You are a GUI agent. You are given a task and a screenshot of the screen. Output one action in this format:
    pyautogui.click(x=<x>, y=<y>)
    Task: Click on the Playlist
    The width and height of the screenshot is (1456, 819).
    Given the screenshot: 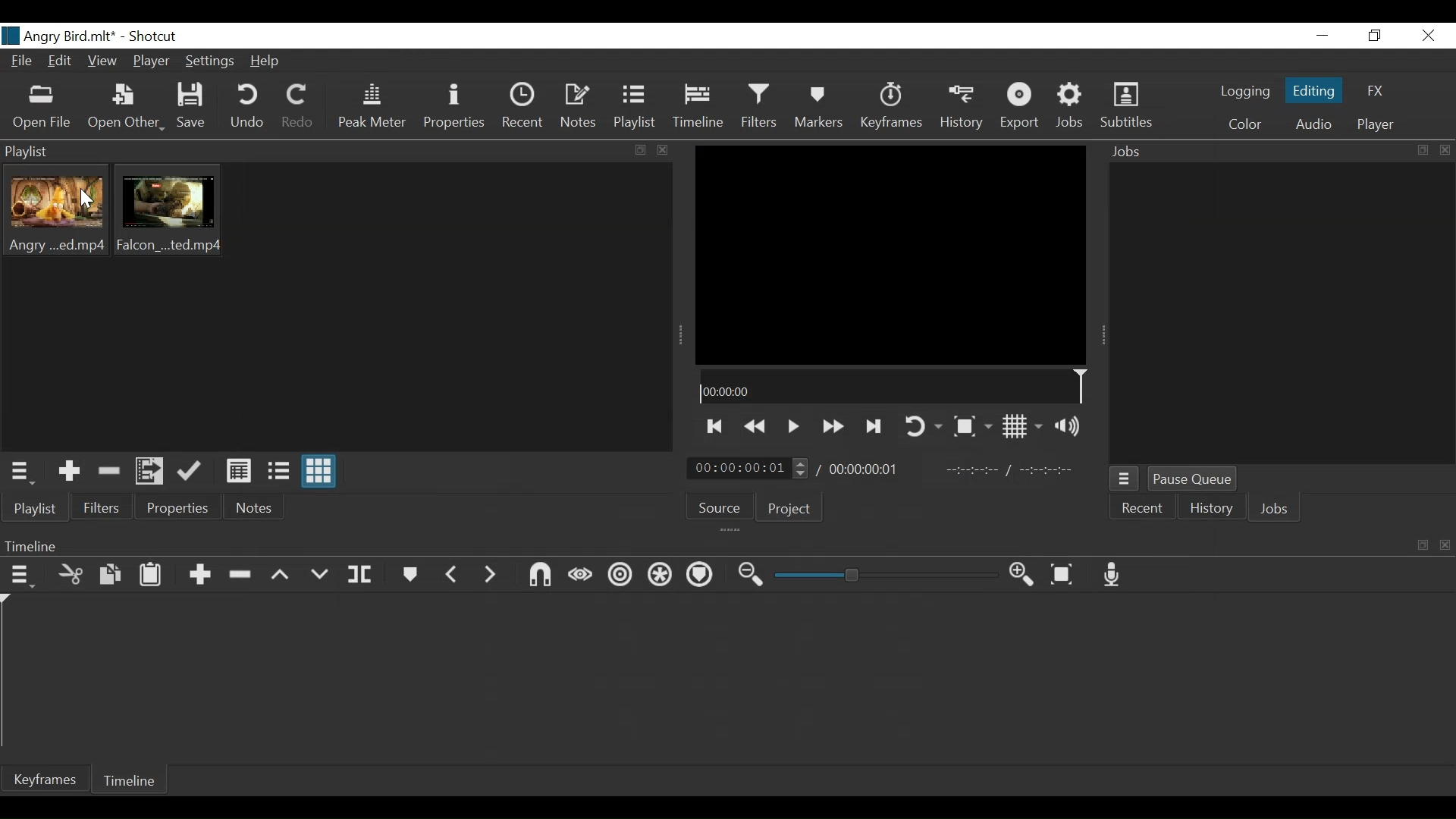 What is the action you would take?
    pyautogui.click(x=638, y=106)
    